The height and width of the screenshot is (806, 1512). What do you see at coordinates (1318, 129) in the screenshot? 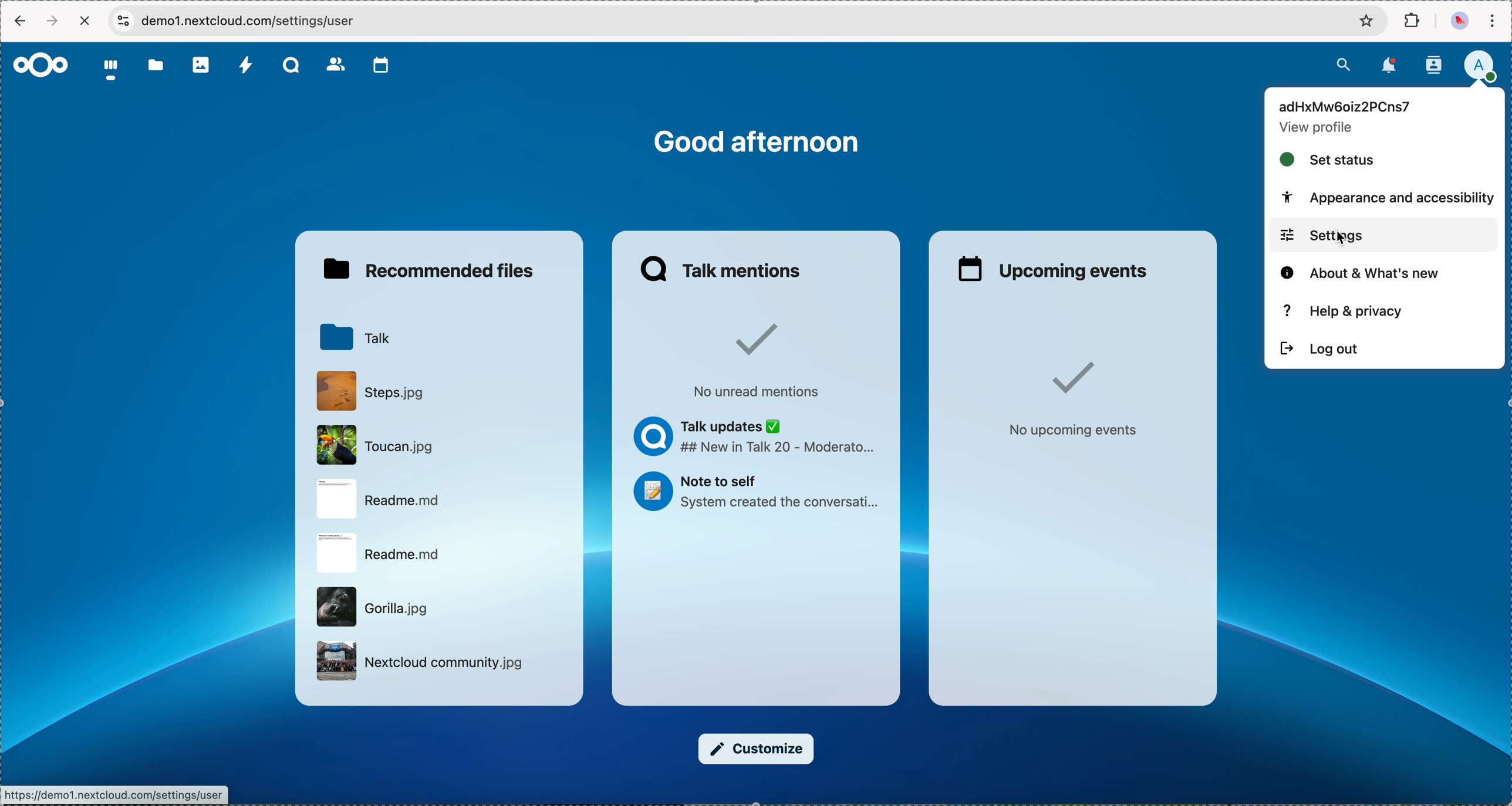
I see `view profile` at bounding box center [1318, 129].